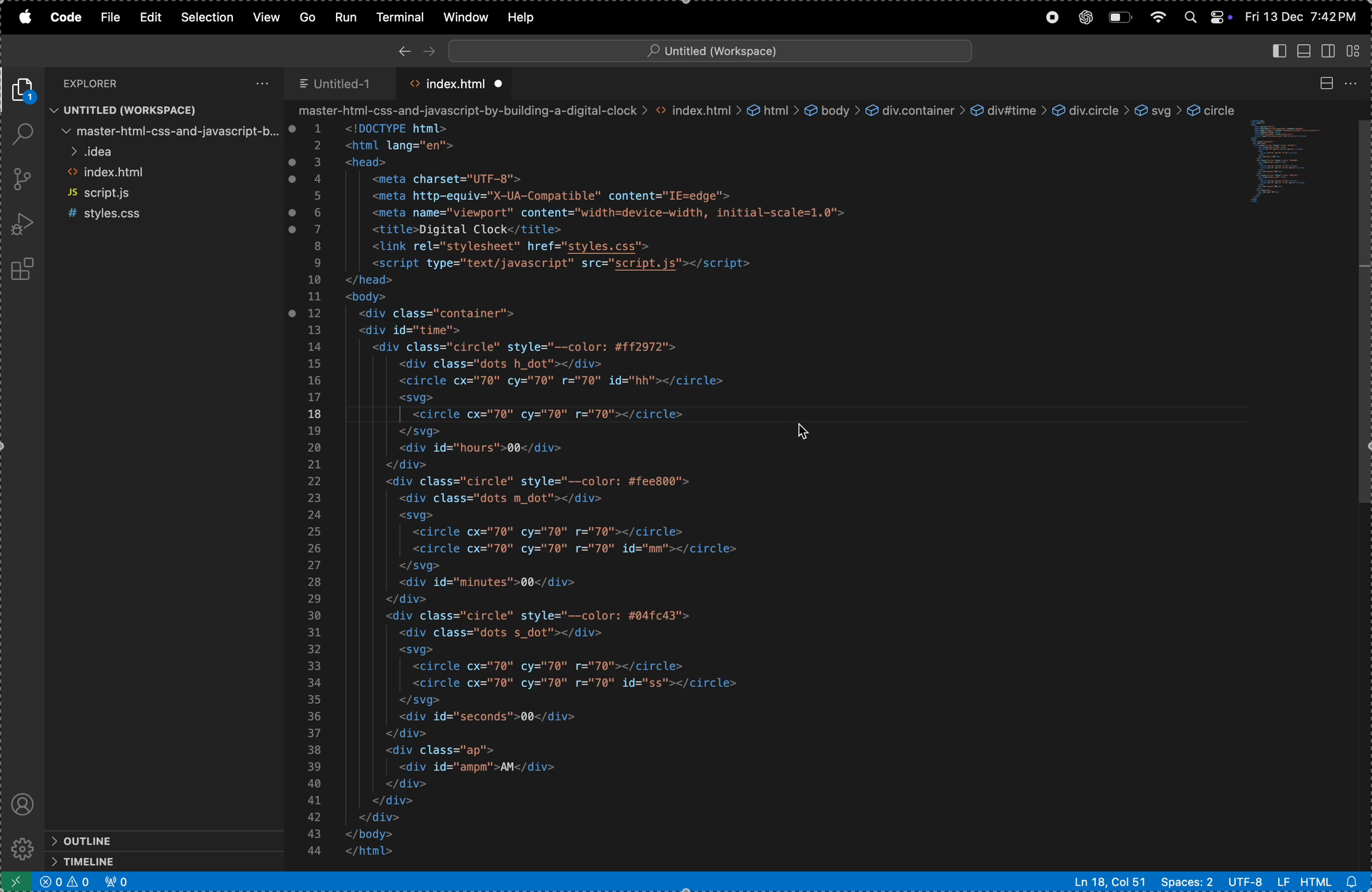 This screenshot has width=1372, height=892. I want to click on file, so click(110, 18).